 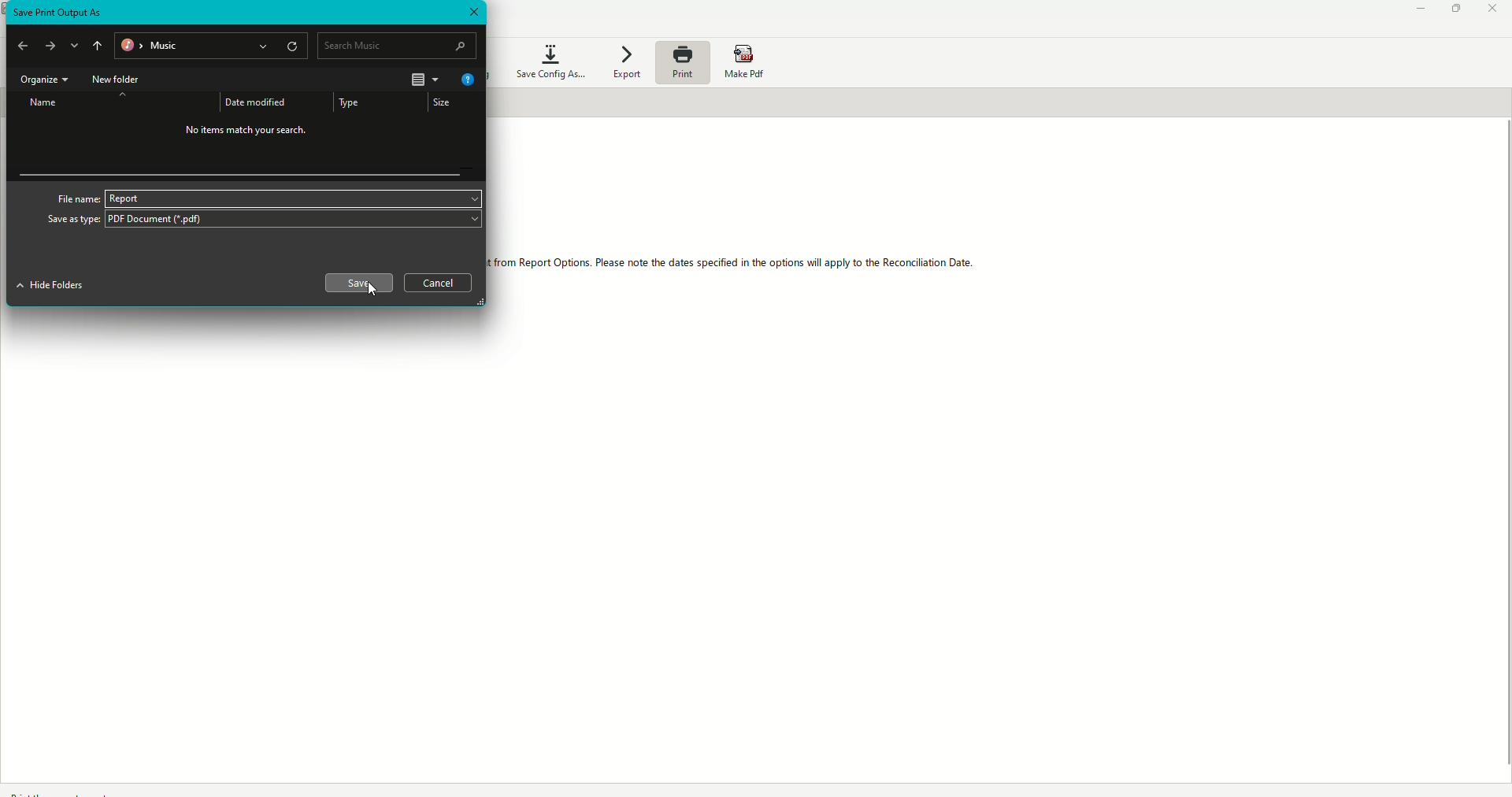 I want to click on recent, so click(x=76, y=44).